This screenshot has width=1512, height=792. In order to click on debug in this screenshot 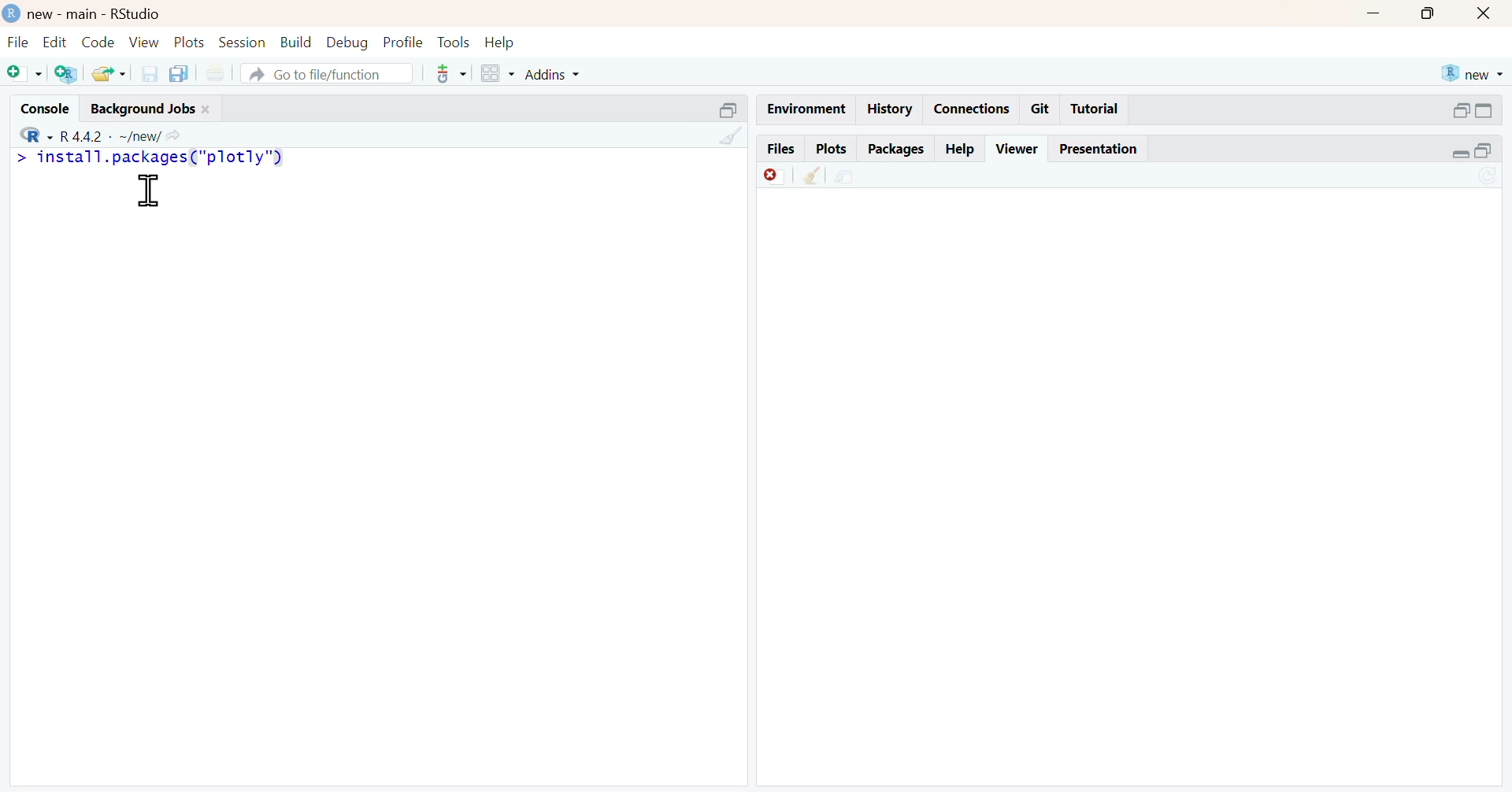, I will do `click(347, 43)`.